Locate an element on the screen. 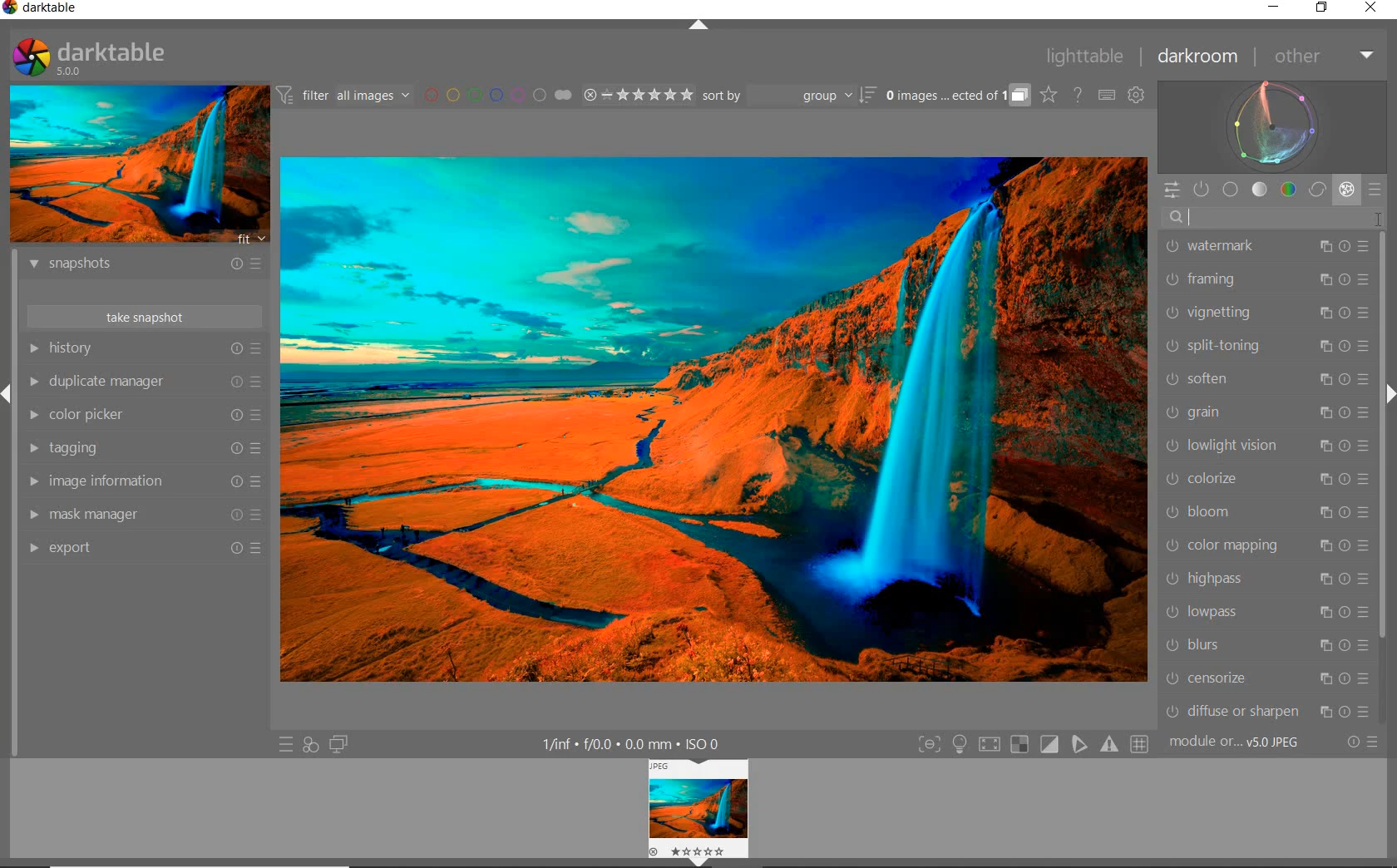  Expand/Collapse is located at coordinates (702, 862).